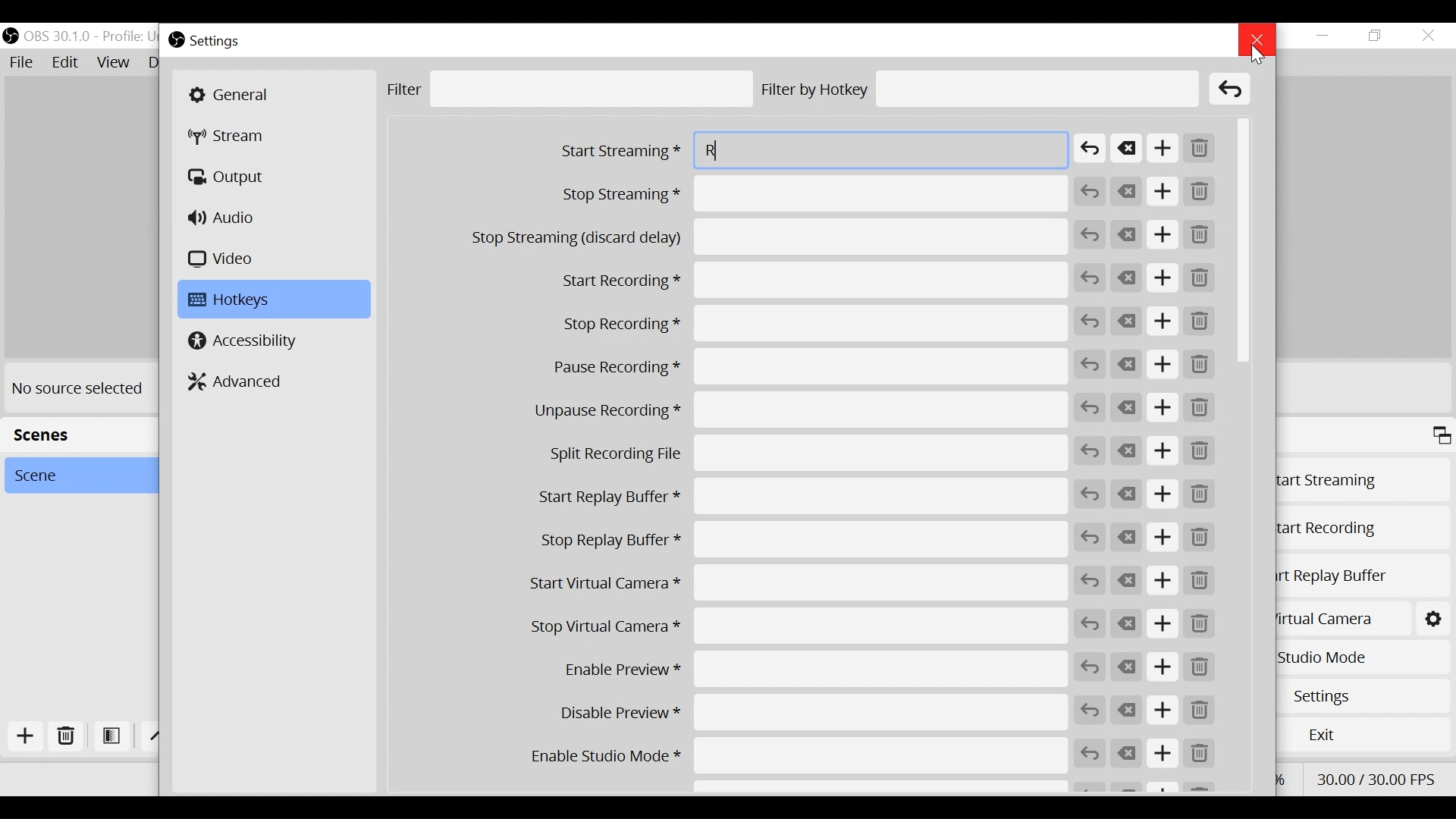 This screenshot has width=1456, height=819. I want to click on Pause Recording, so click(799, 368).